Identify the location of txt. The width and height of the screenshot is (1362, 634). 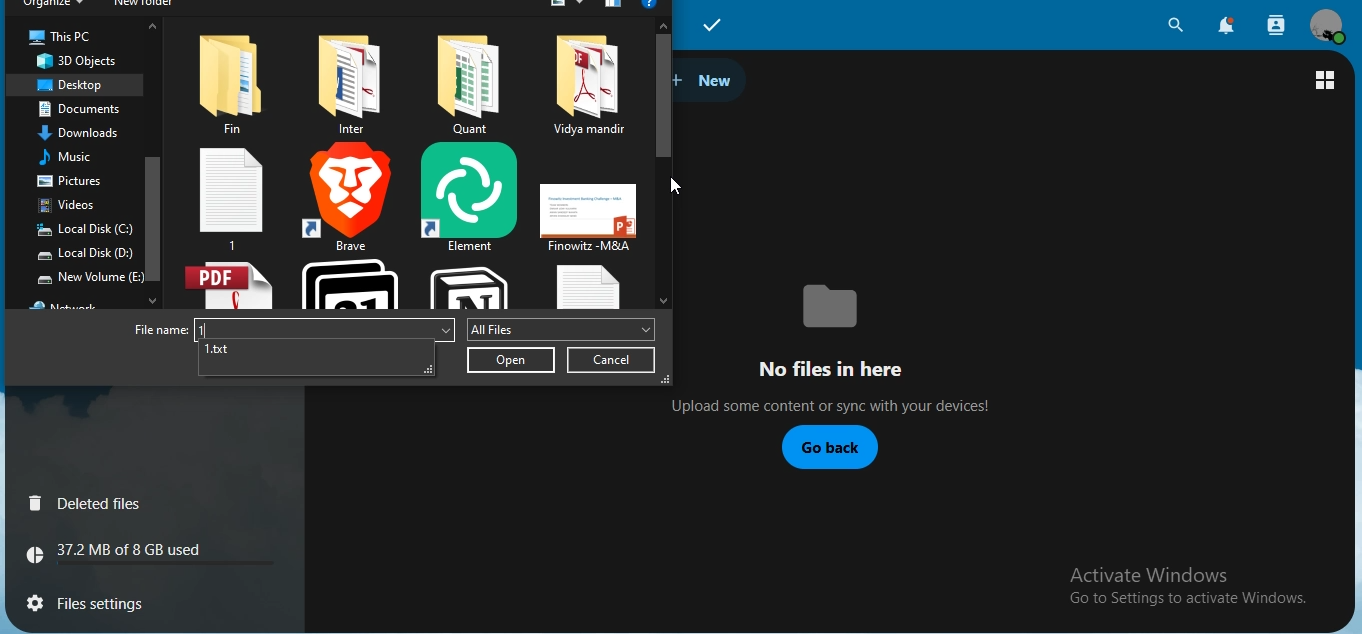
(582, 287).